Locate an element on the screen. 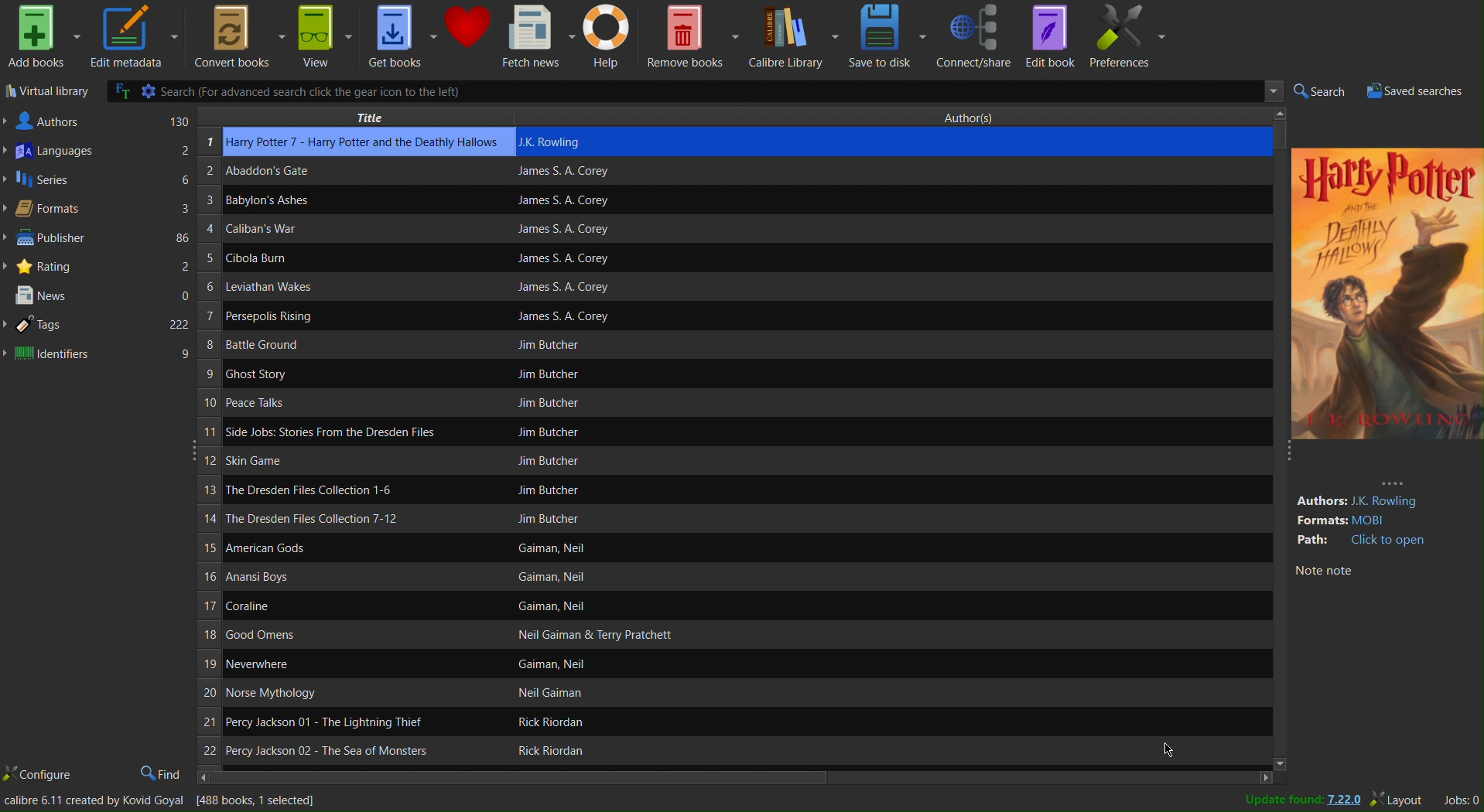 This screenshot has width=1484, height=812. Change the title/author/cover is located at coordinates (163, 803).